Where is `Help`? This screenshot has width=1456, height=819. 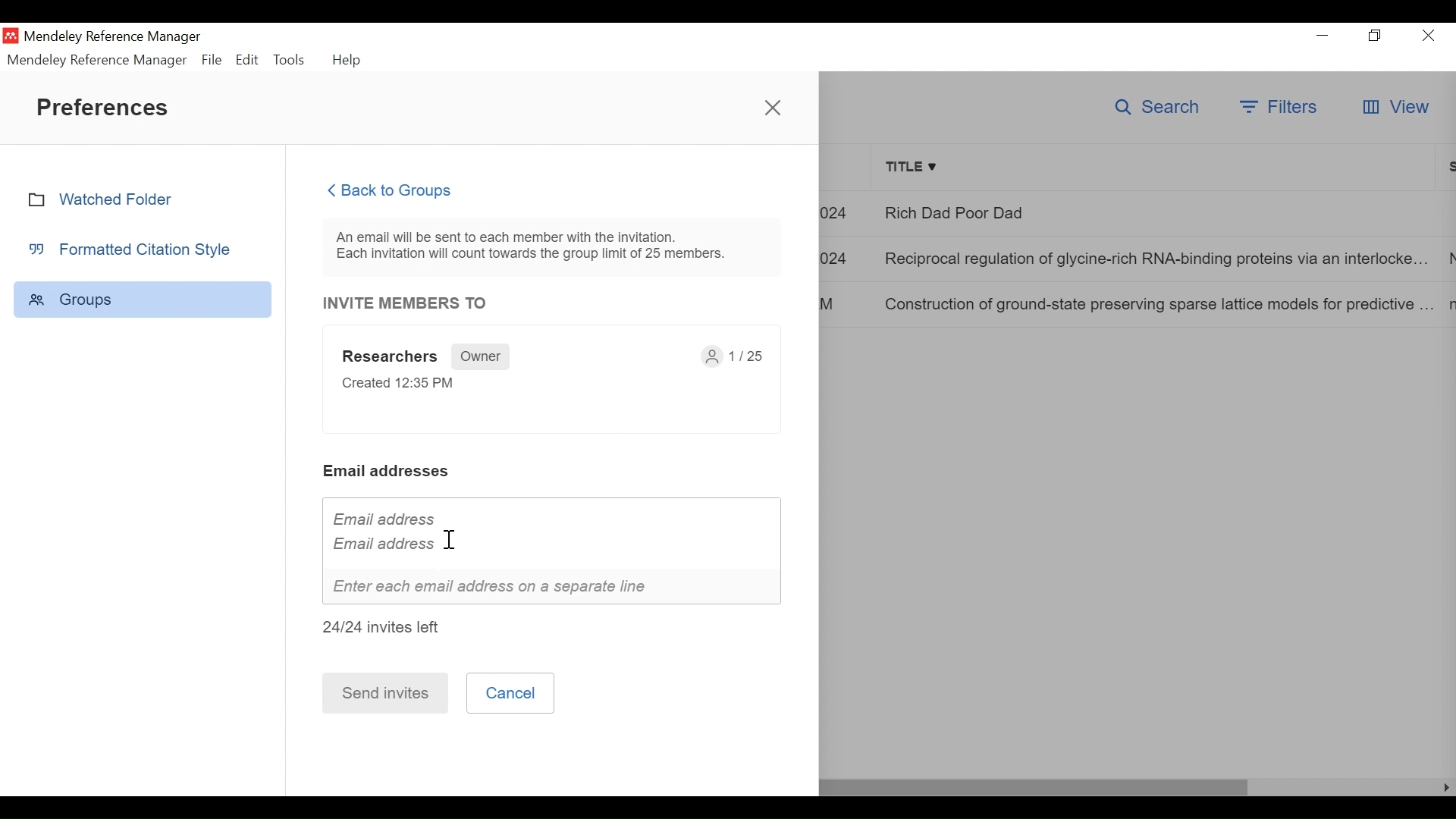
Help is located at coordinates (349, 60).